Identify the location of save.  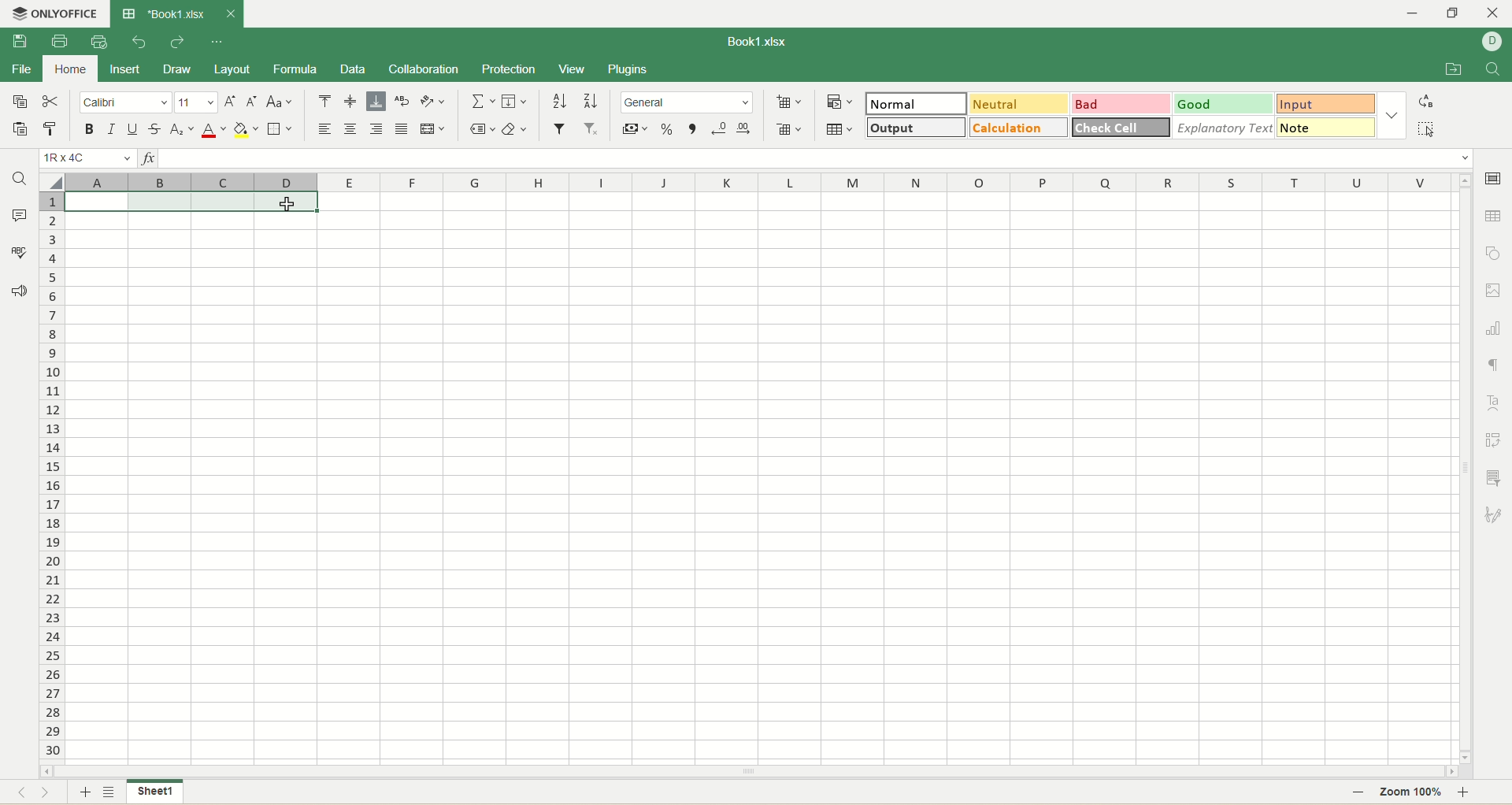
(15, 41).